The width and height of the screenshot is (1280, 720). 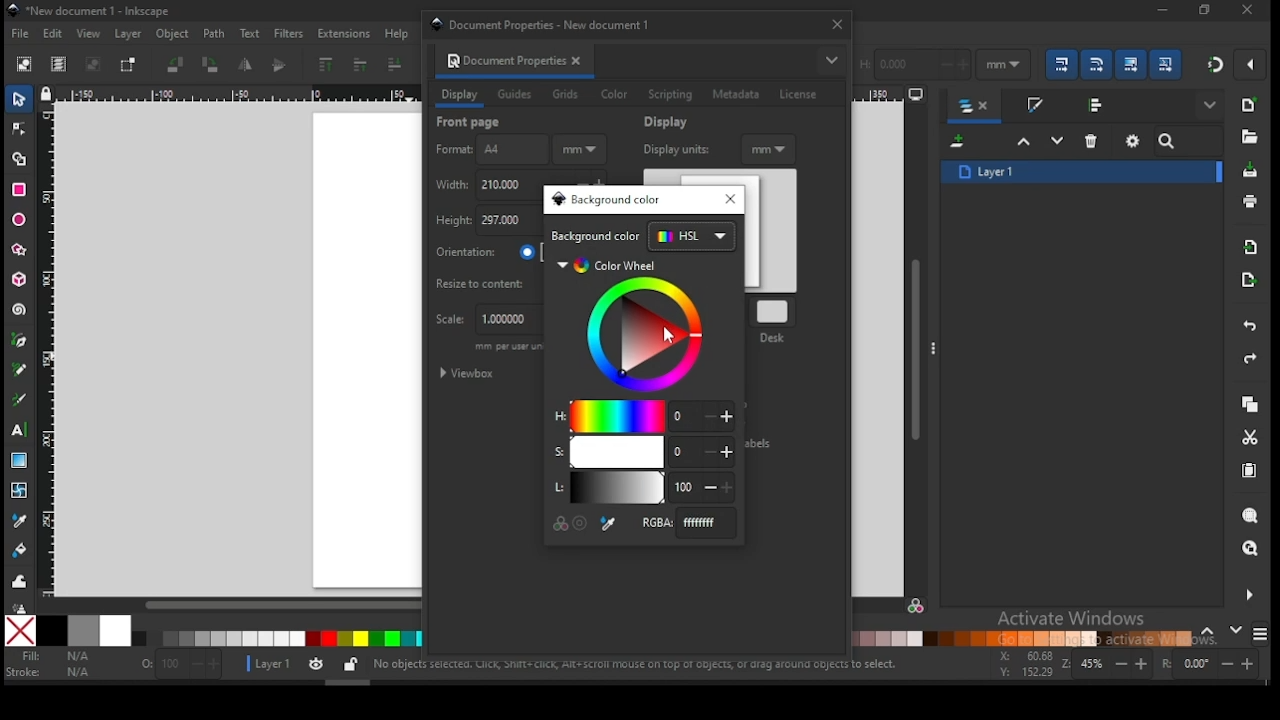 I want to click on spiral tool, so click(x=20, y=310).